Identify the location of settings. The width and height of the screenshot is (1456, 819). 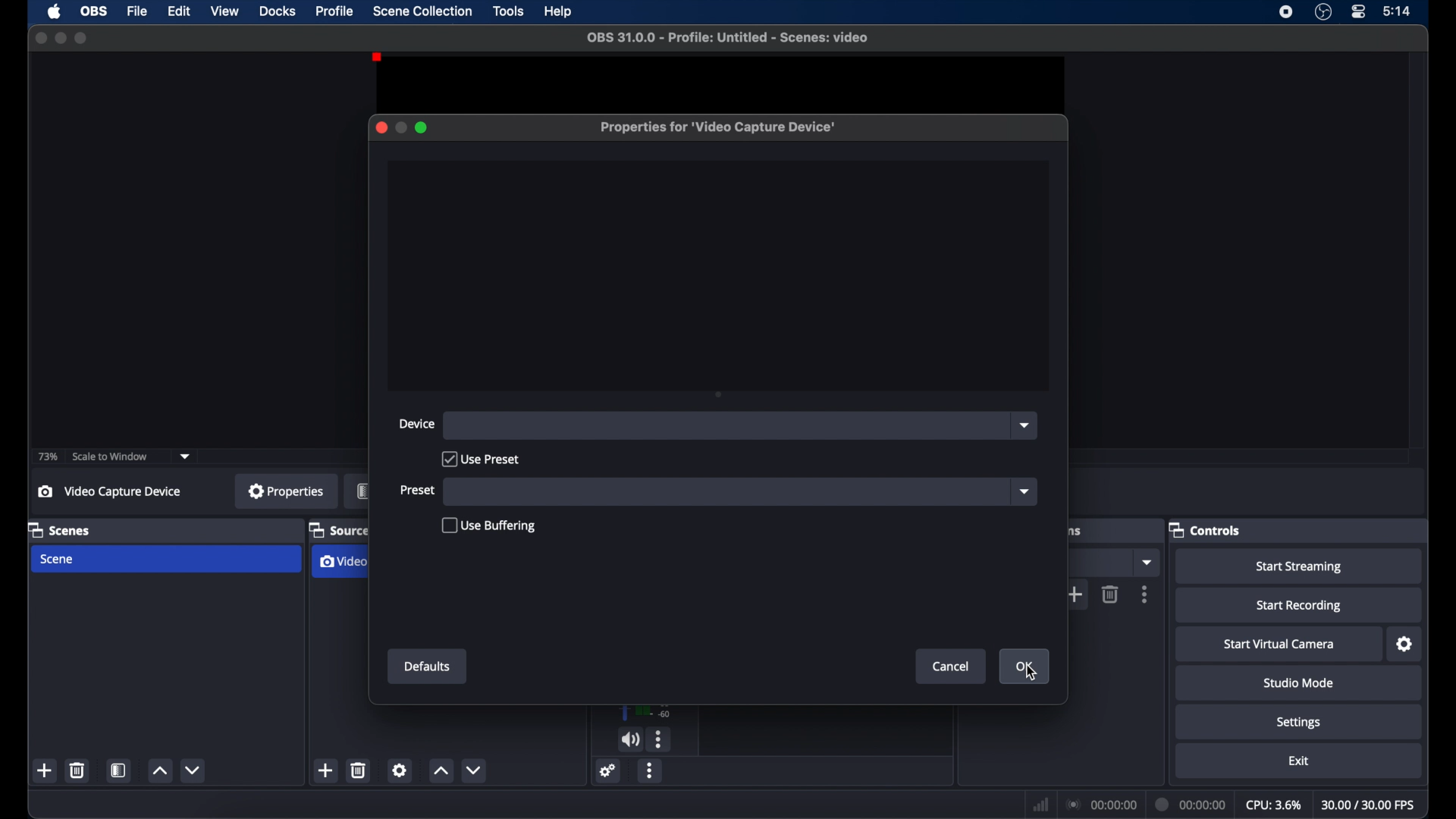
(1298, 722).